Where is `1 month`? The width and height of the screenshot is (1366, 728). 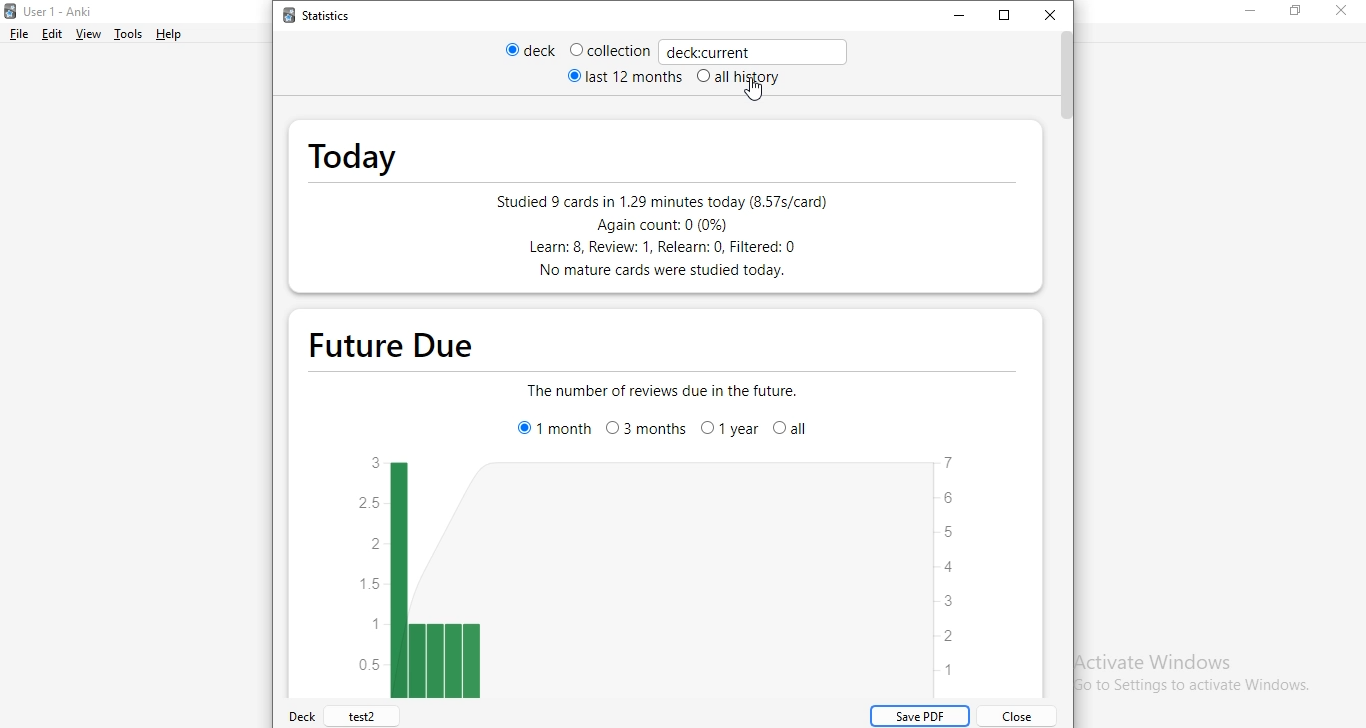 1 month is located at coordinates (552, 428).